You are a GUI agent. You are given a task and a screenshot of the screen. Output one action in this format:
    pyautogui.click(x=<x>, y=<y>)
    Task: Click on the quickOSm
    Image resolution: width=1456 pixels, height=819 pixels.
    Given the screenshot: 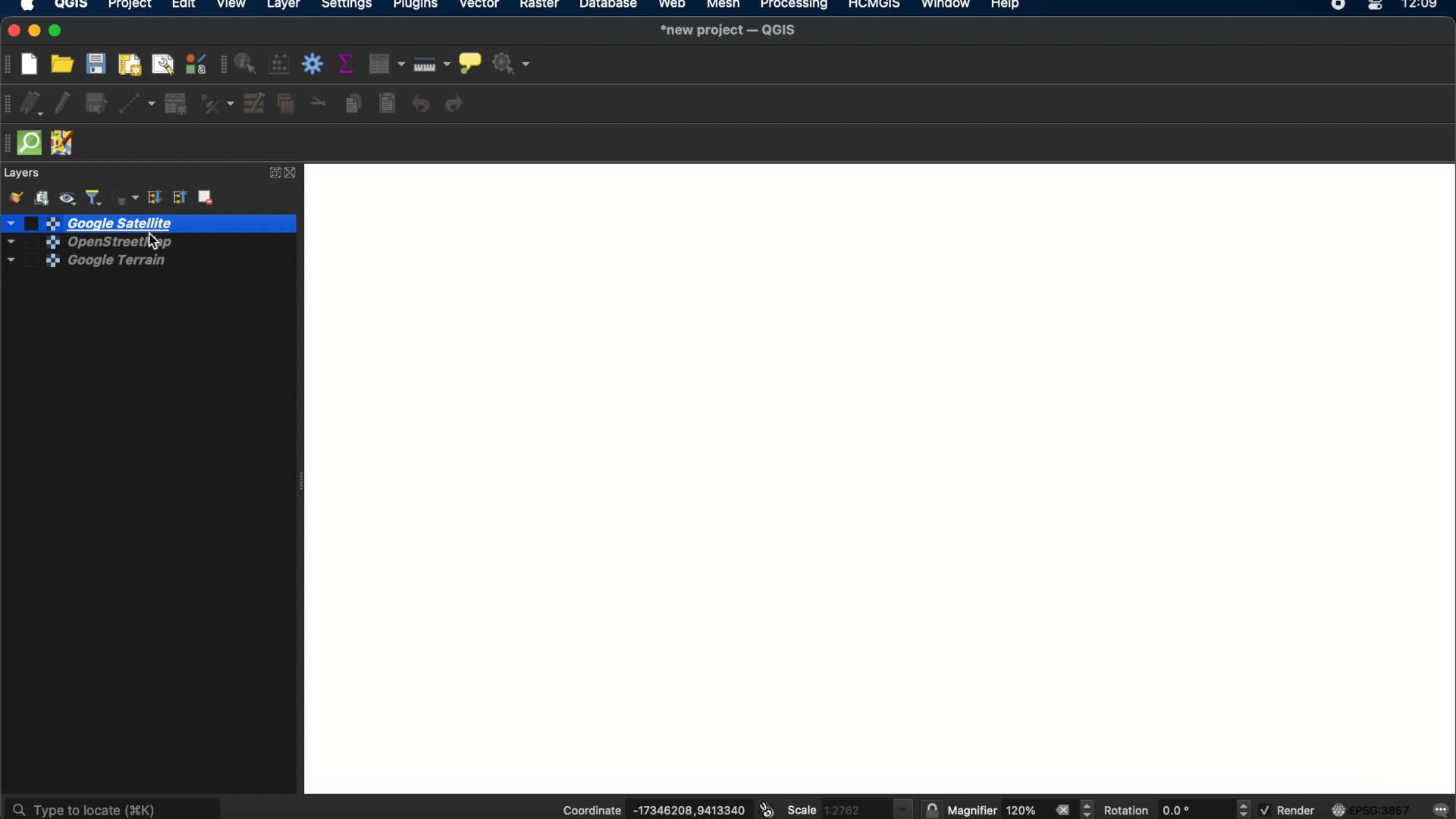 What is the action you would take?
    pyautogui.click(x=33, y=143)
    